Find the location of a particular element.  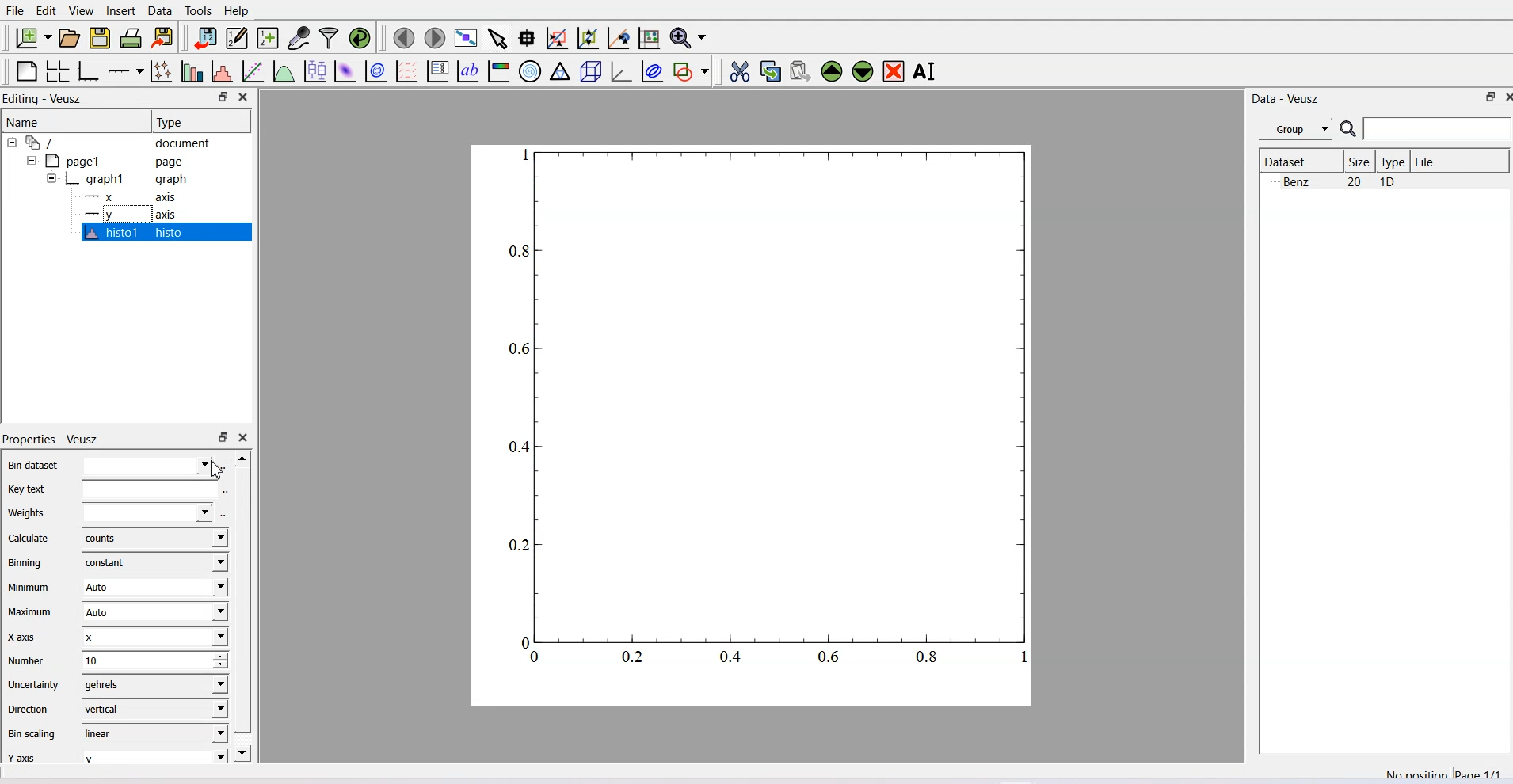

Draw rectangle to zoom graph axes is located at coordinates (558, 38).